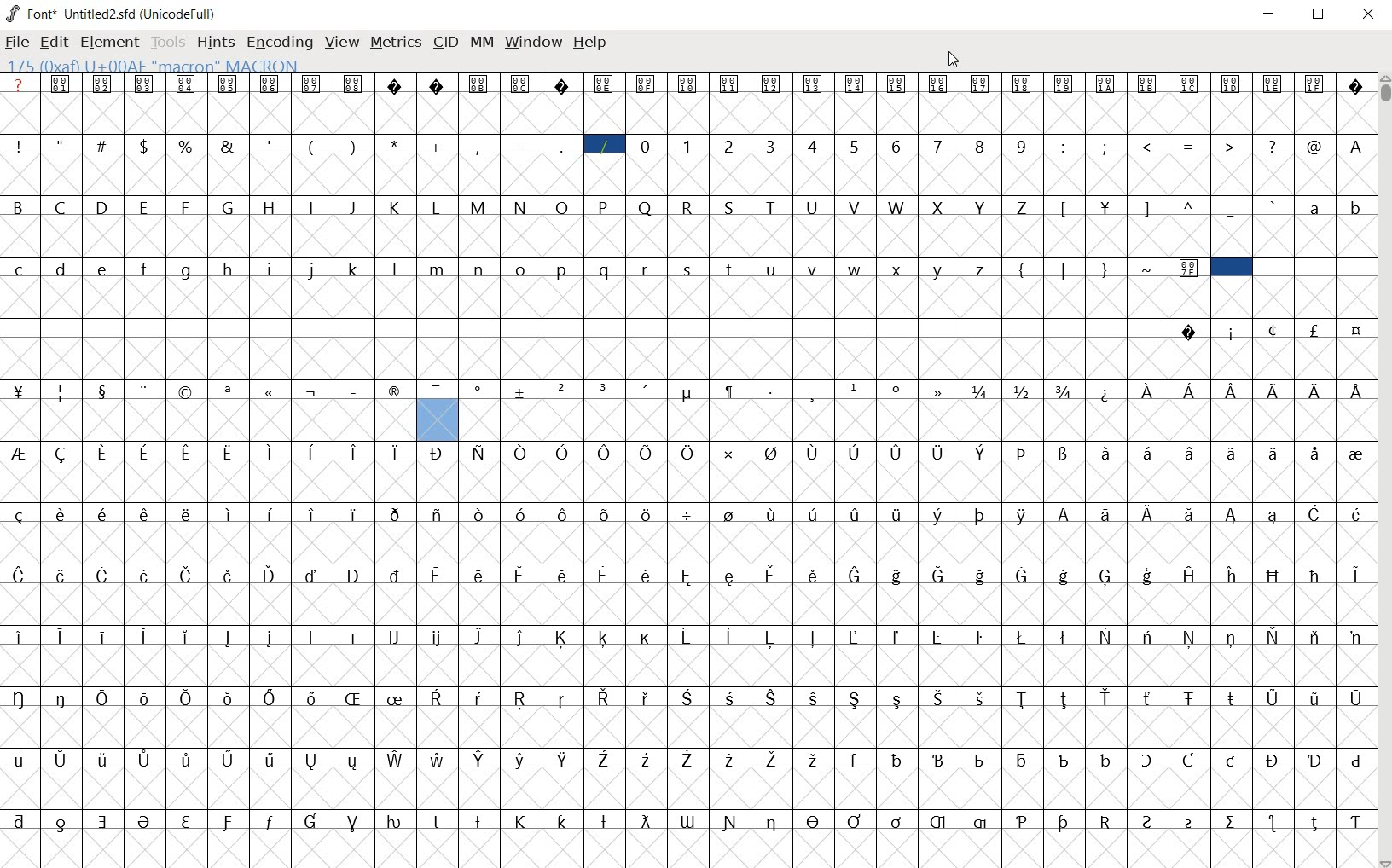  I want to click on j, so click(312, 270).